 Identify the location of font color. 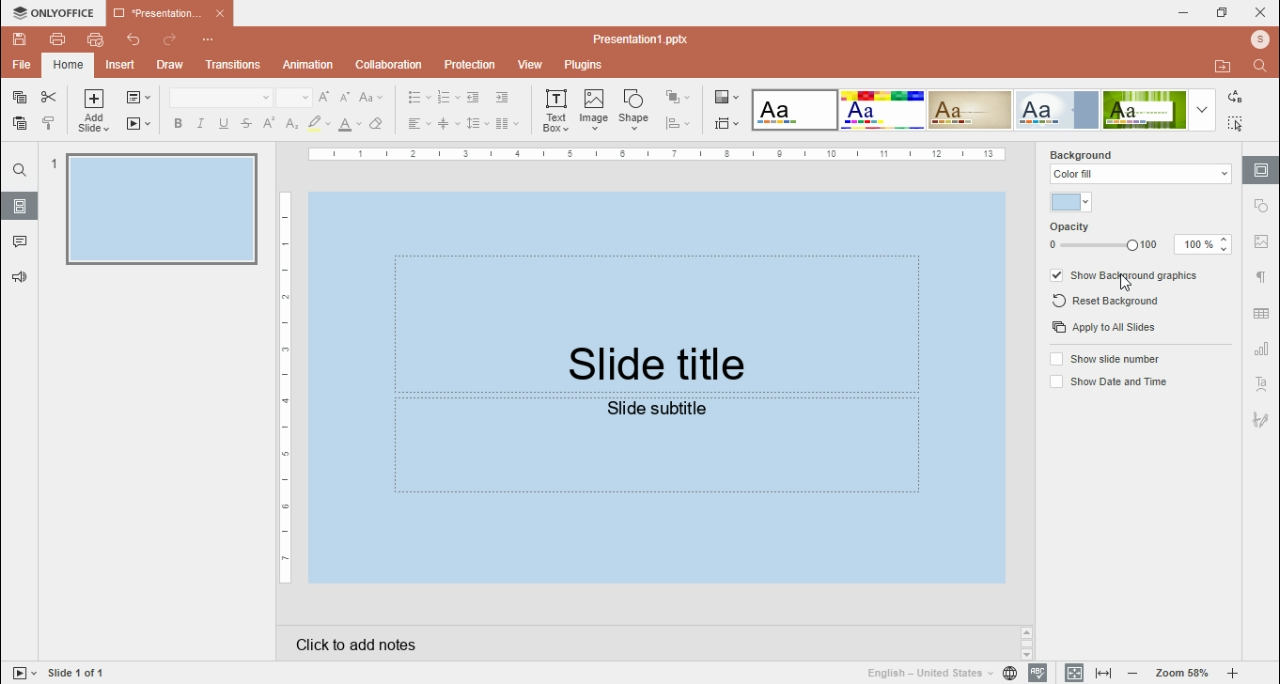
(350, 124).